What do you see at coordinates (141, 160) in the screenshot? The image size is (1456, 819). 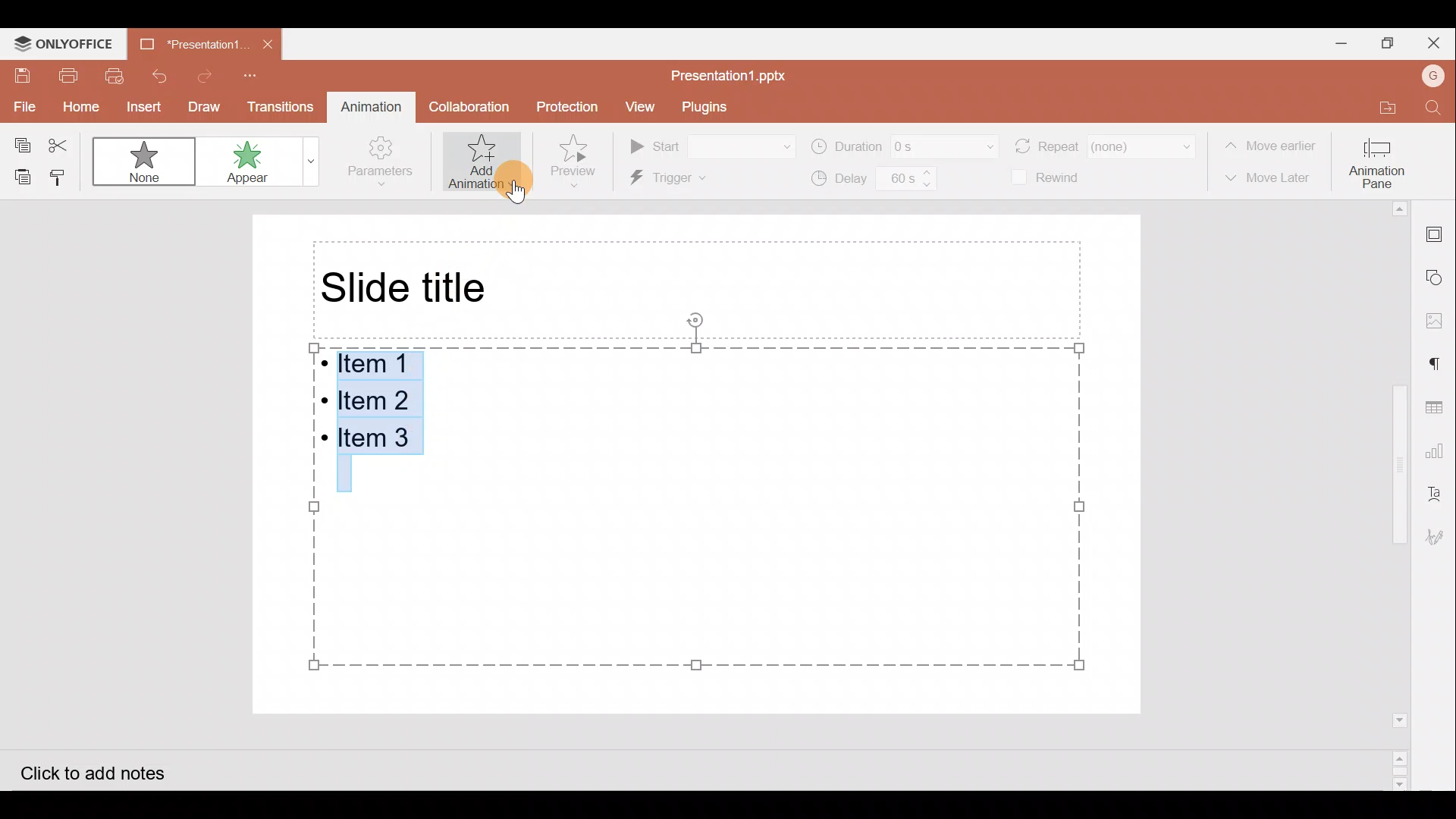 I see `None` at bounding box center [141, 160].